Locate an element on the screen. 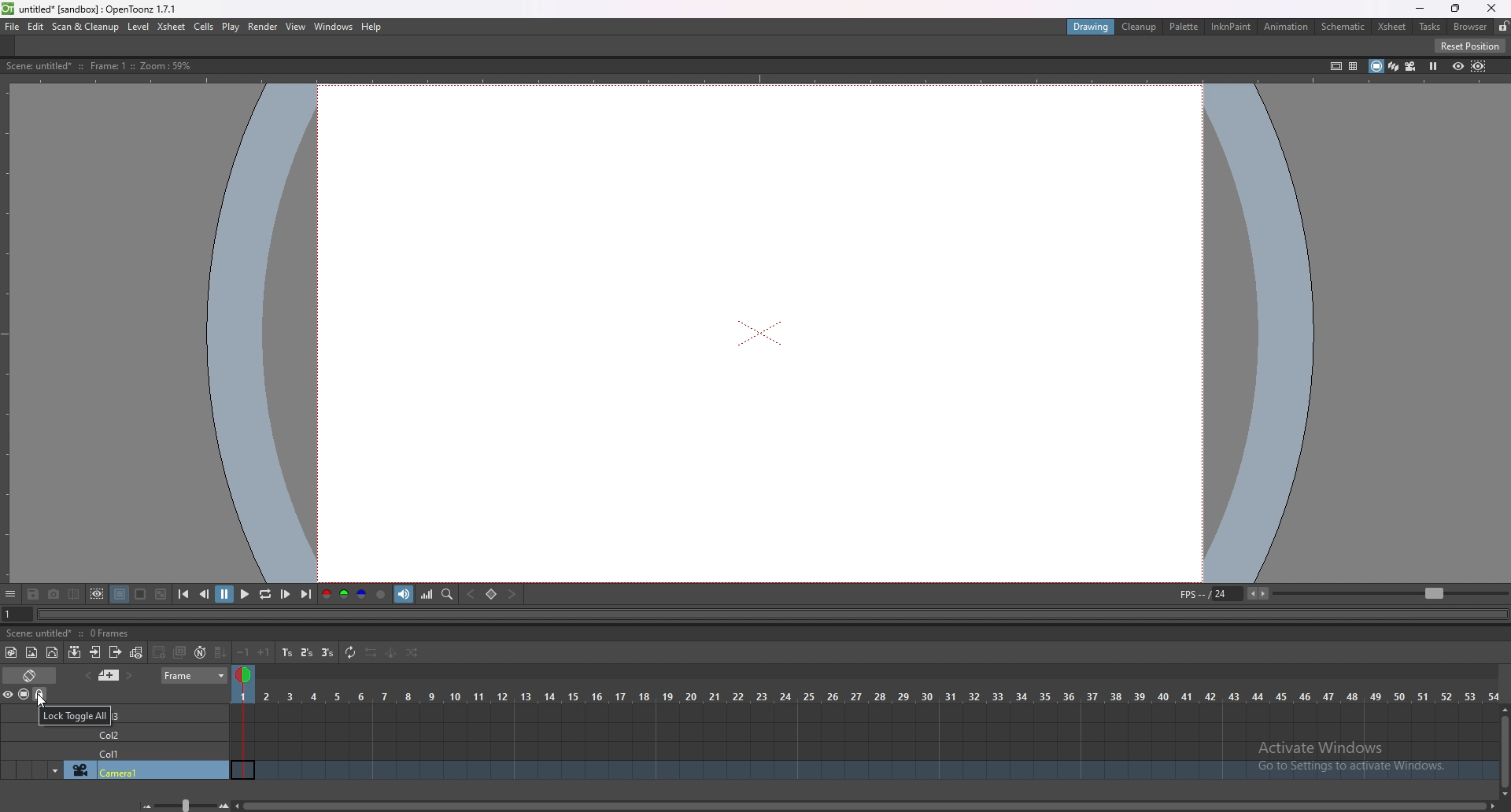 The height and width of the screenshot is (812, 1511). new toon raster level is located at coordinates (12, 652).